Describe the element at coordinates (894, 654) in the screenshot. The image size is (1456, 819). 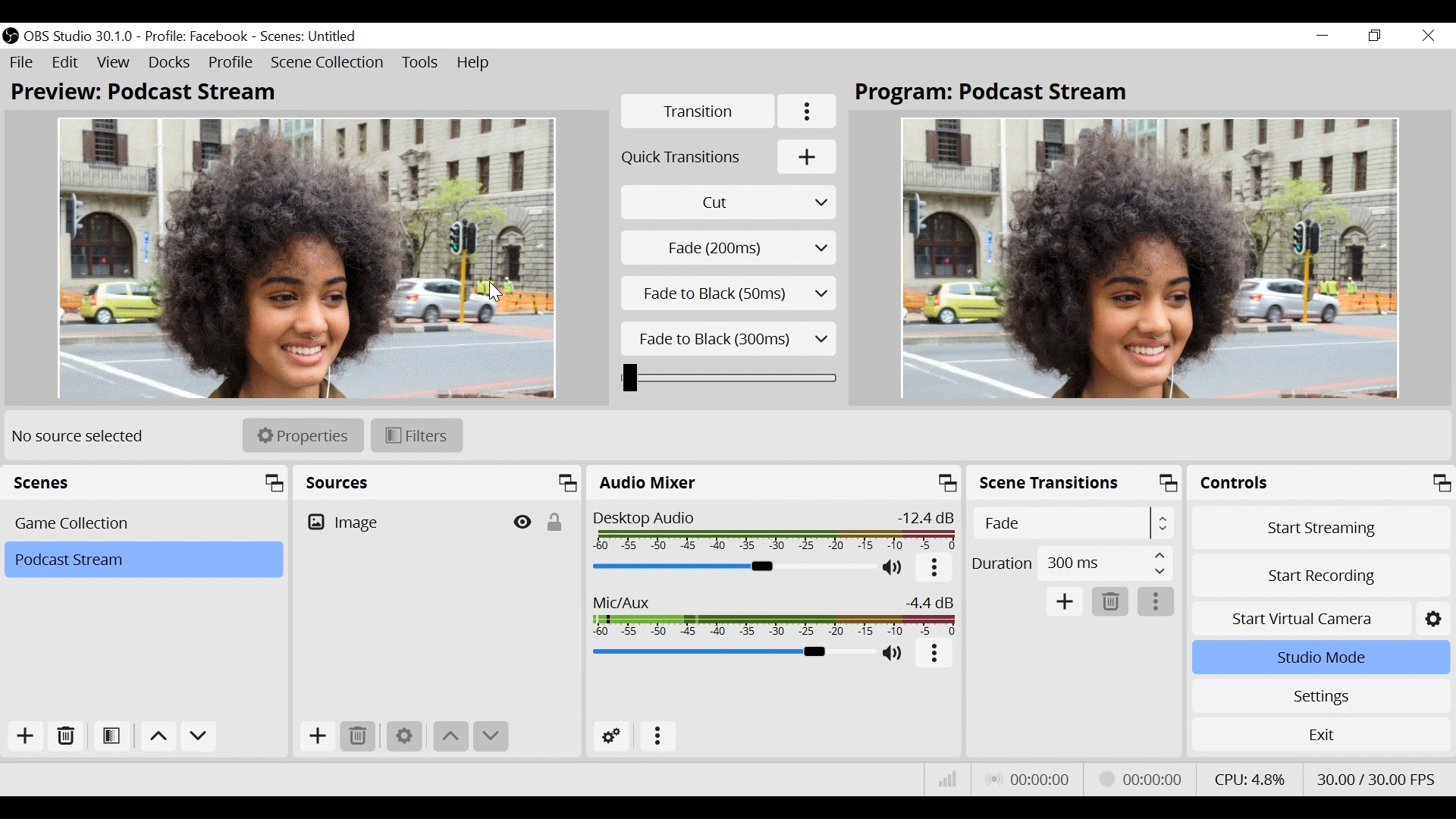
I see `(un)mute` at that location.